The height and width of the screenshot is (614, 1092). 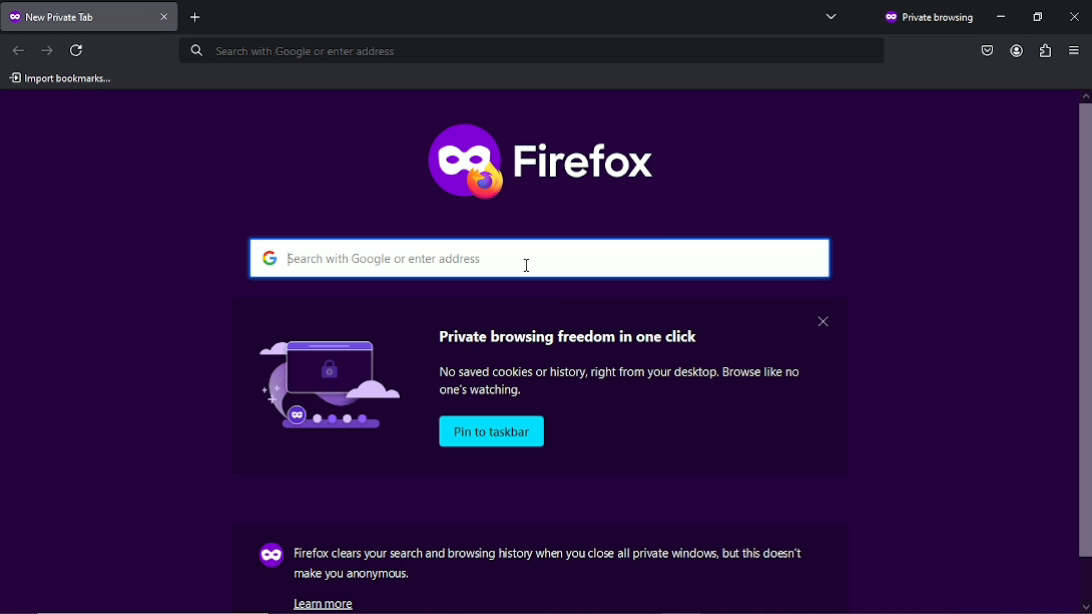 What do you see at coordinates (928, 18) in the screenshot?
I see `private browsing` at bounding box center [928, 18].